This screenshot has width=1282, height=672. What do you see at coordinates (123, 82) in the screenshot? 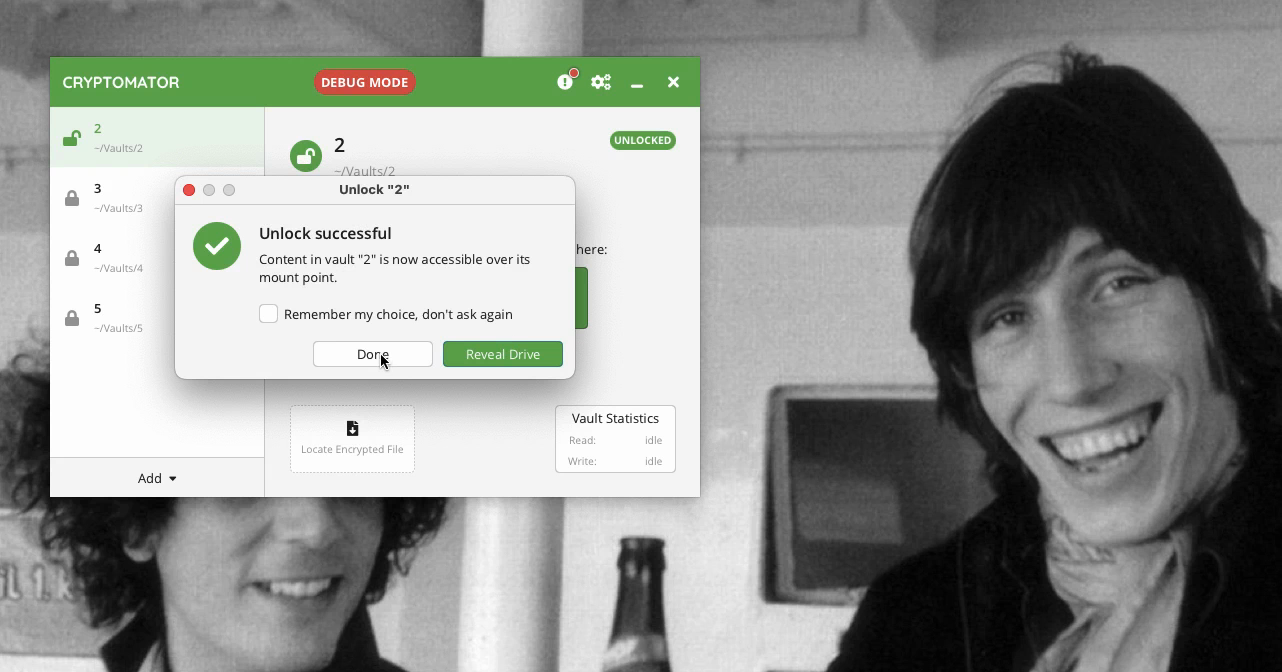
I see `Cryptomator` at bounding box center [123, 82].